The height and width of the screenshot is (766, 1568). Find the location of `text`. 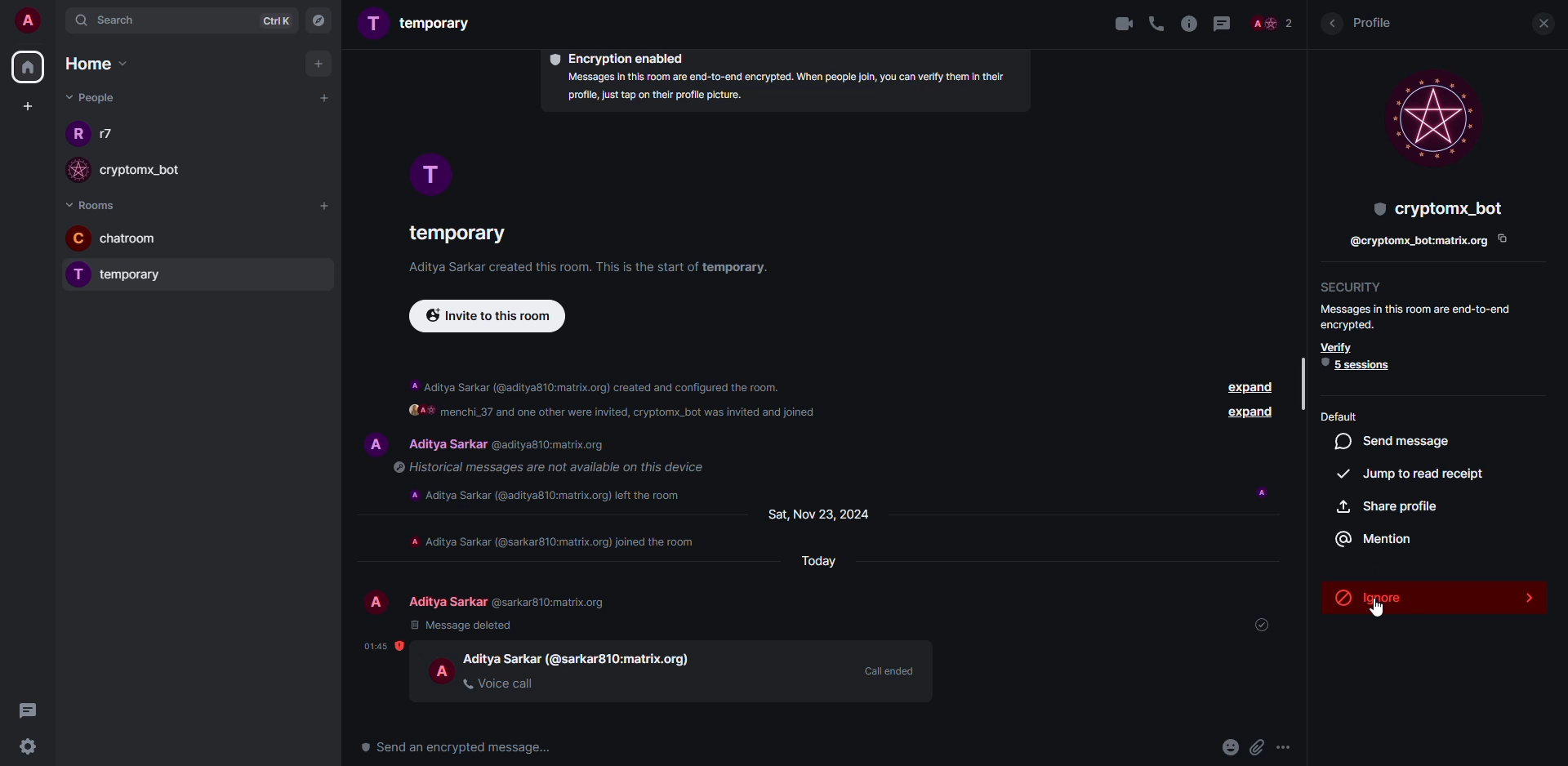

text is located at coordinates (616, 414).